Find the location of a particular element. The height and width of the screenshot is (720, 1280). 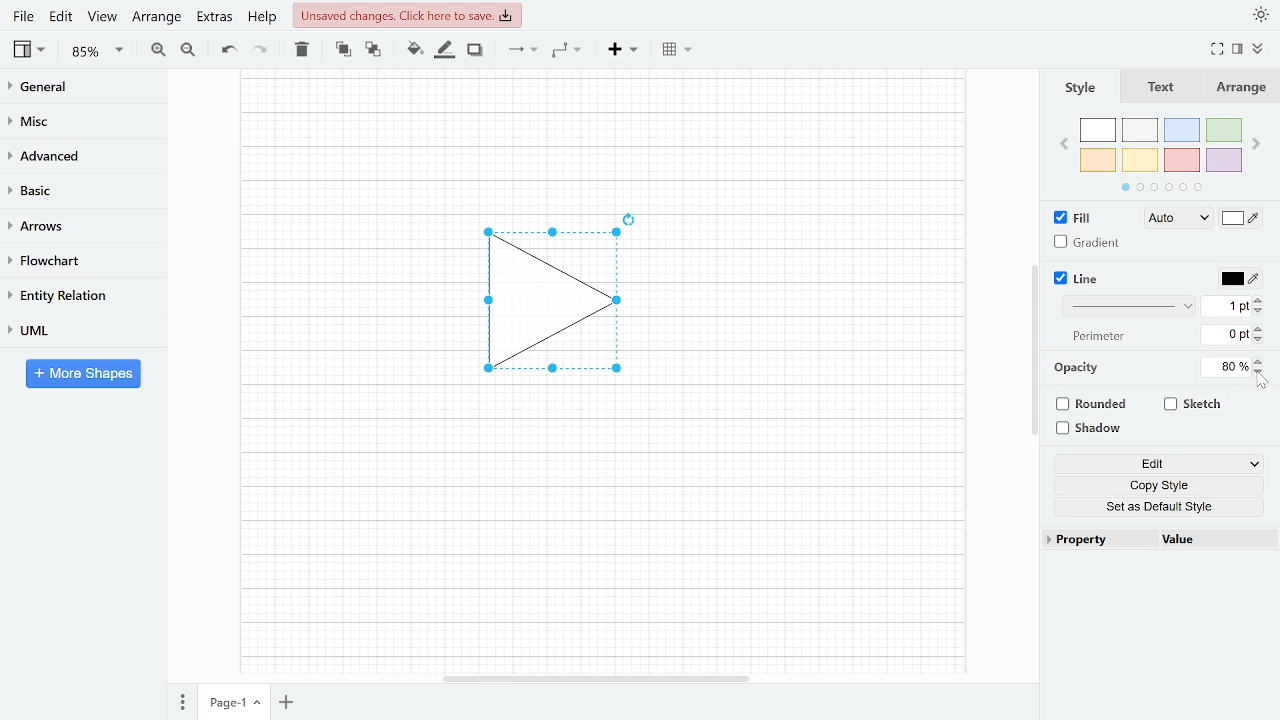

To back is located at coordinates (371, 48).